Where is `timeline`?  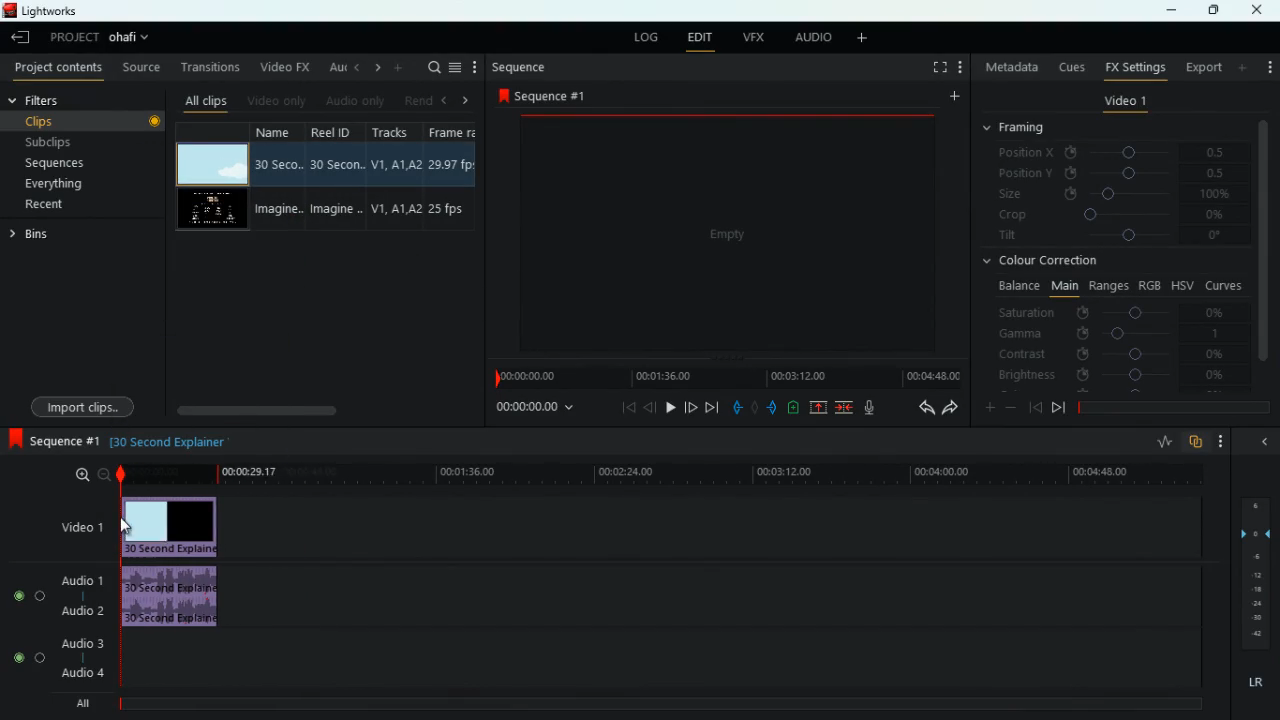 timeline is located at coordinates (655, 474).